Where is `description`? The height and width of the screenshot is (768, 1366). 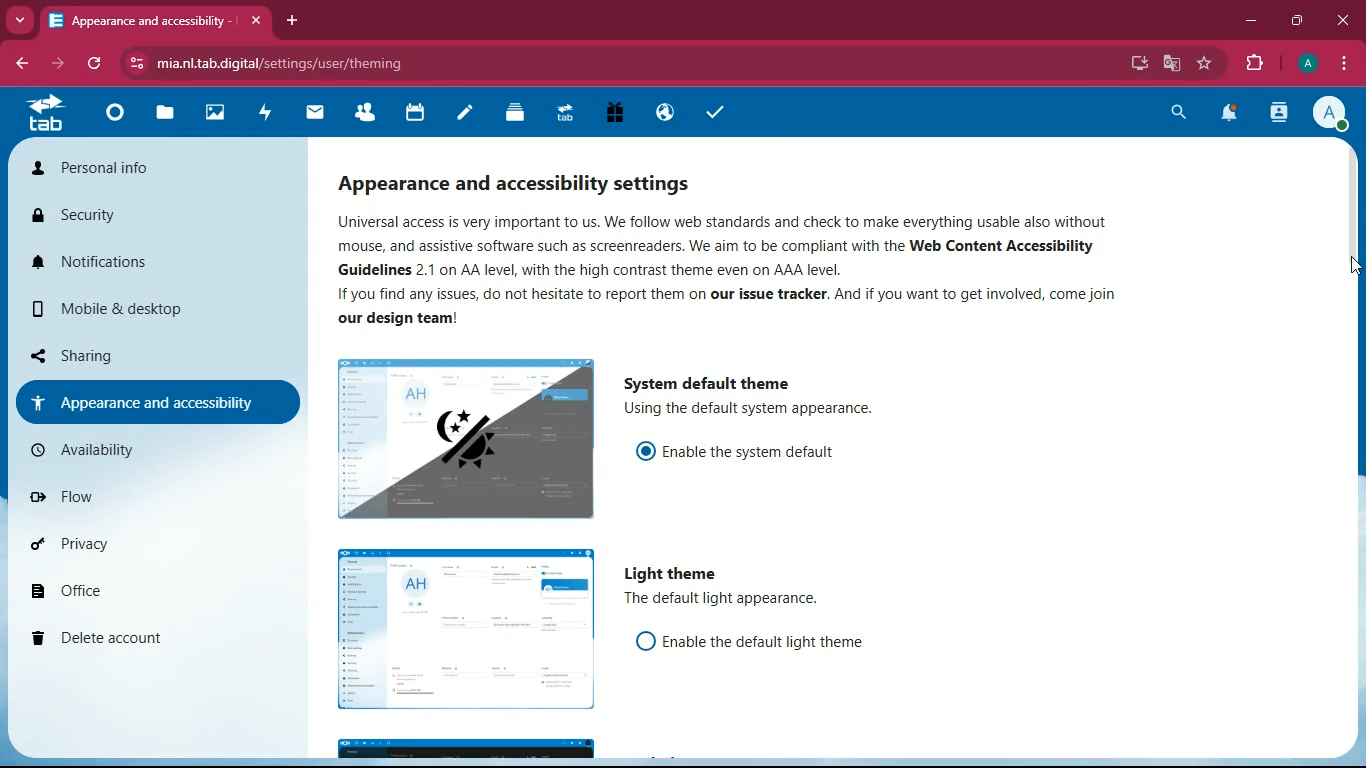
description is located at coordinates (774, 410).